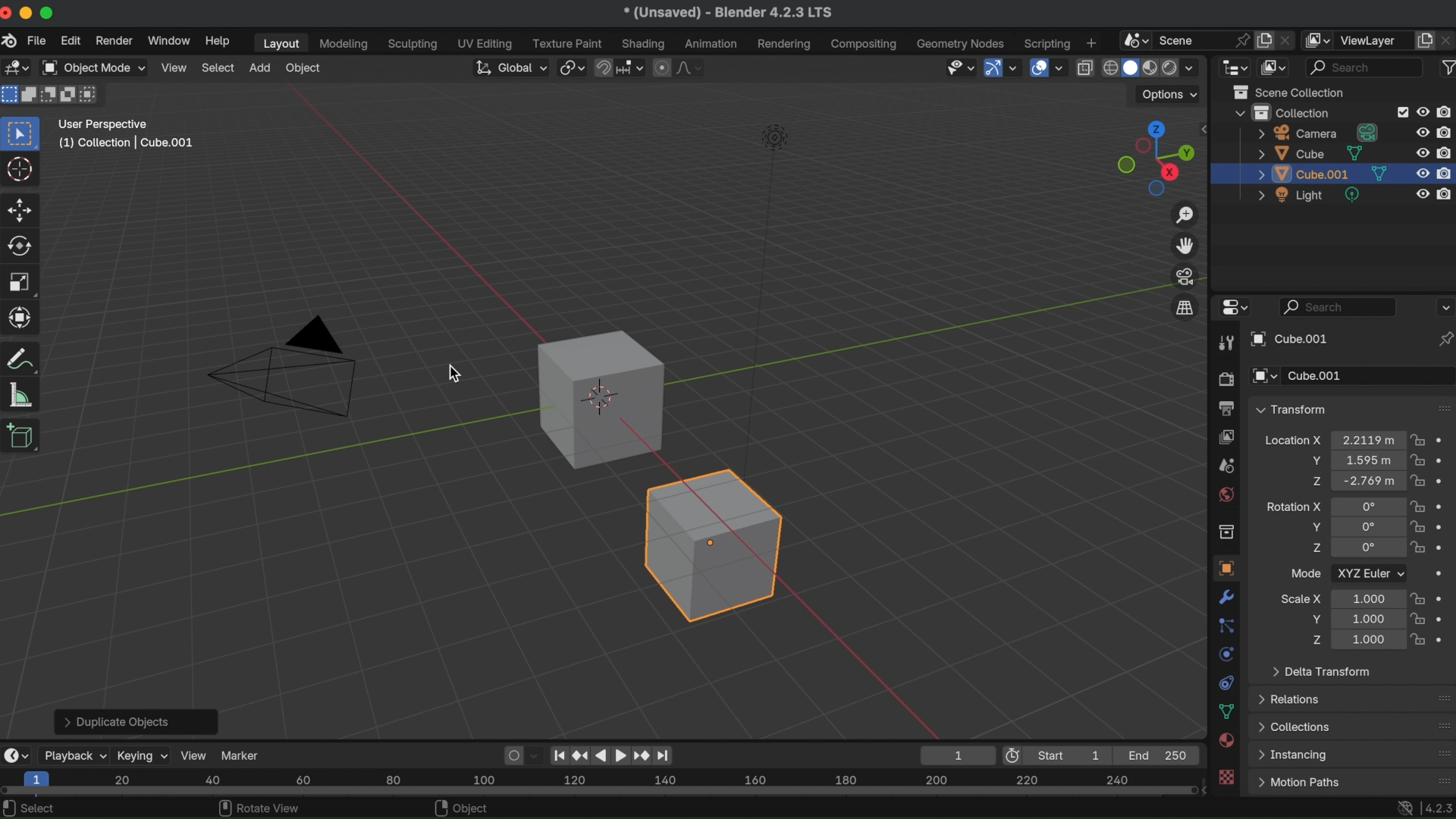 The width and height of the screenshot is (1456, 819). Describe the element at coordinates (537, 755) in the screenshot. I see `auto keyframing` at that location.